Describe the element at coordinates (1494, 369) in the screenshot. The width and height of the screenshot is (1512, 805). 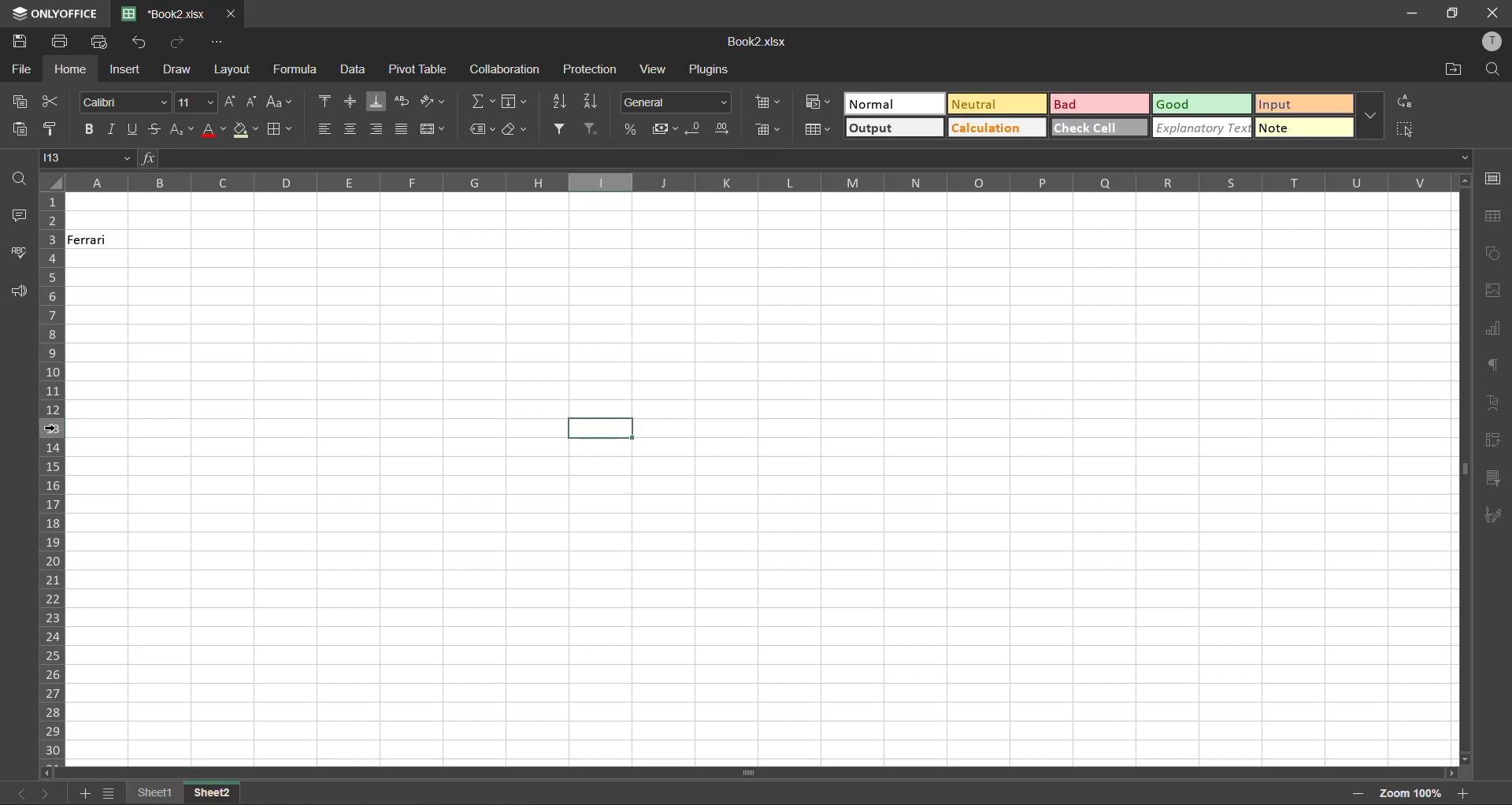
I see `paragraph` at that location.